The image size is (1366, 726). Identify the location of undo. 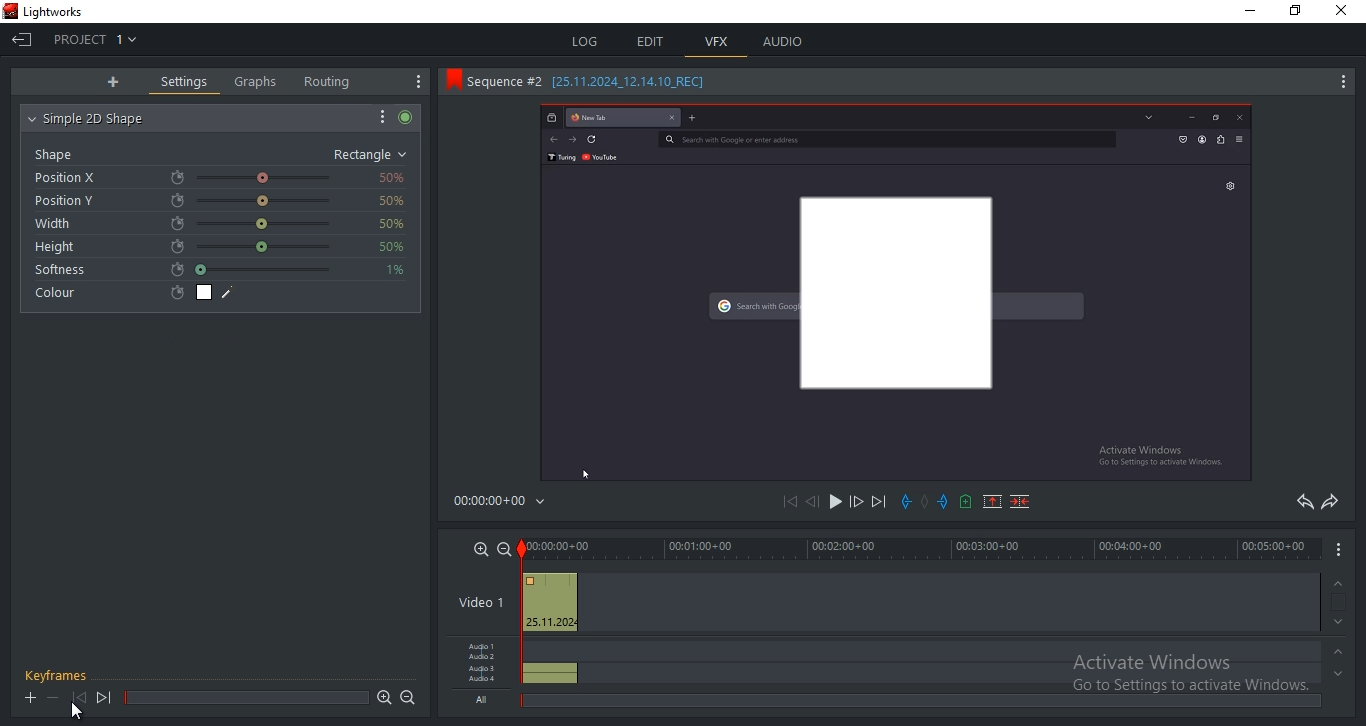
(1302, 502).